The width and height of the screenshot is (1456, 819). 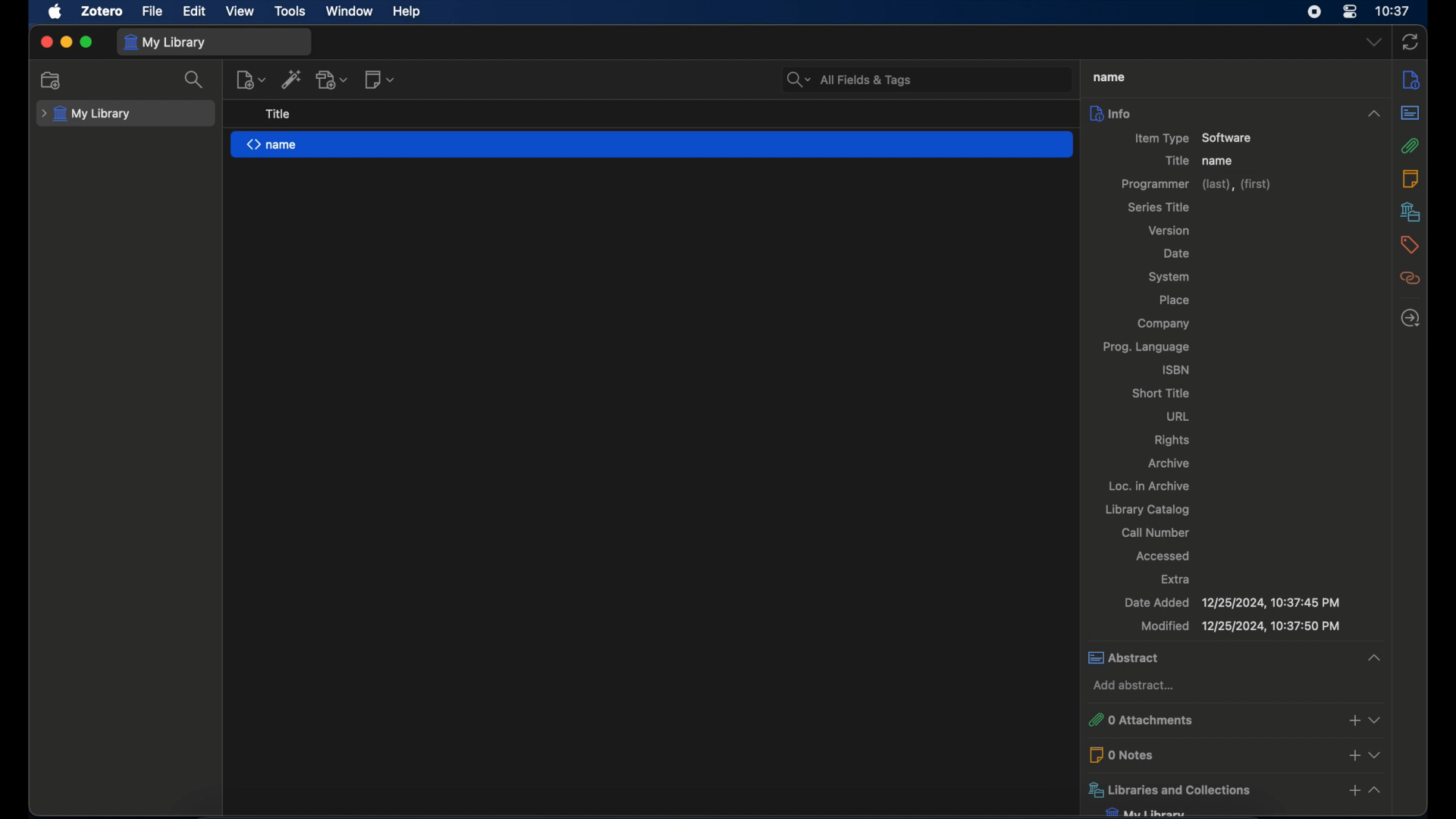 What do you see at coordinates (45, 42) in the screenshot?
I see `close` at bounding box center [45, 42].